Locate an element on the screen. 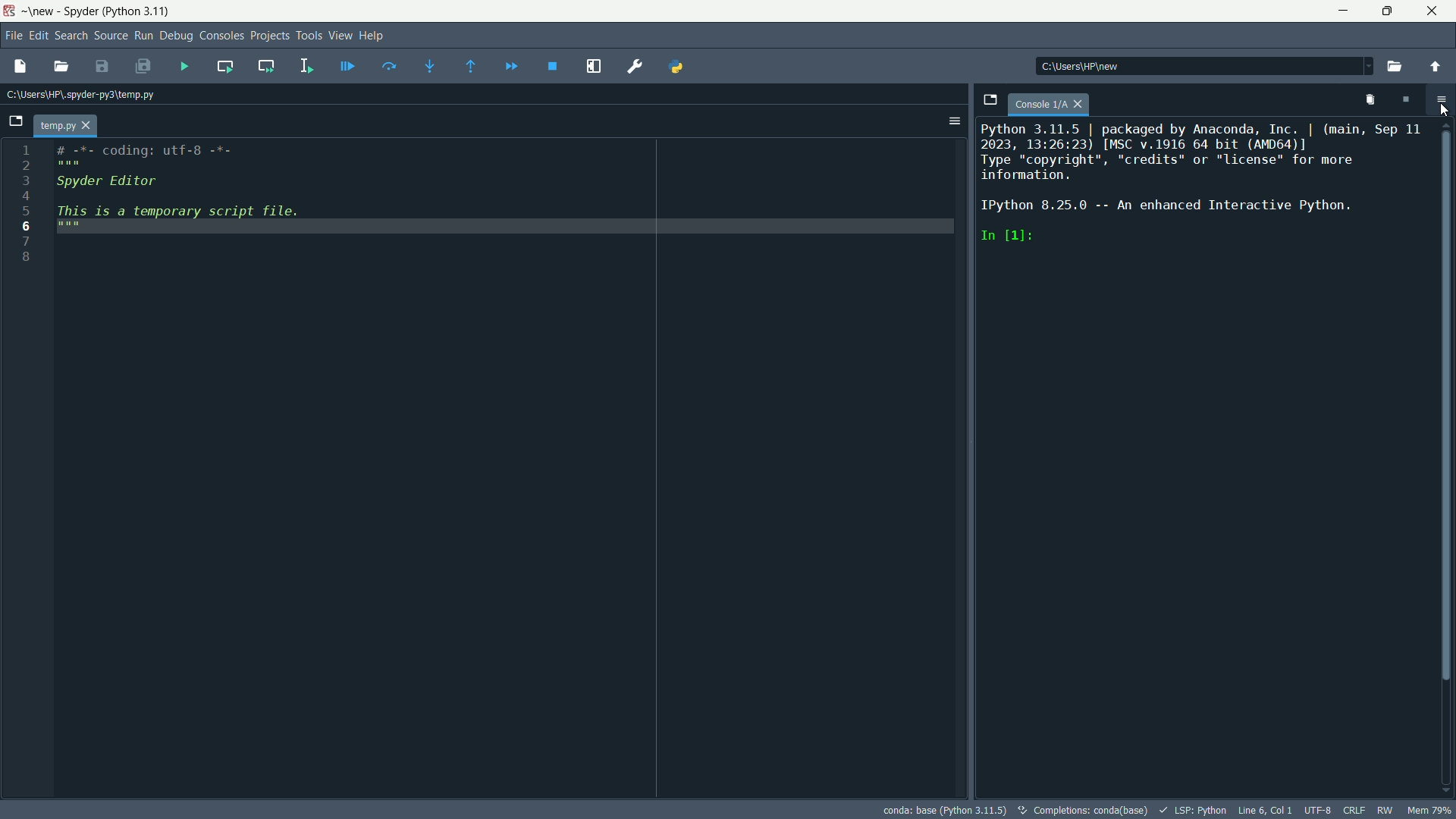 This screenshot has width=1456, height=819. cursor is located at coordinates (1447, 111).